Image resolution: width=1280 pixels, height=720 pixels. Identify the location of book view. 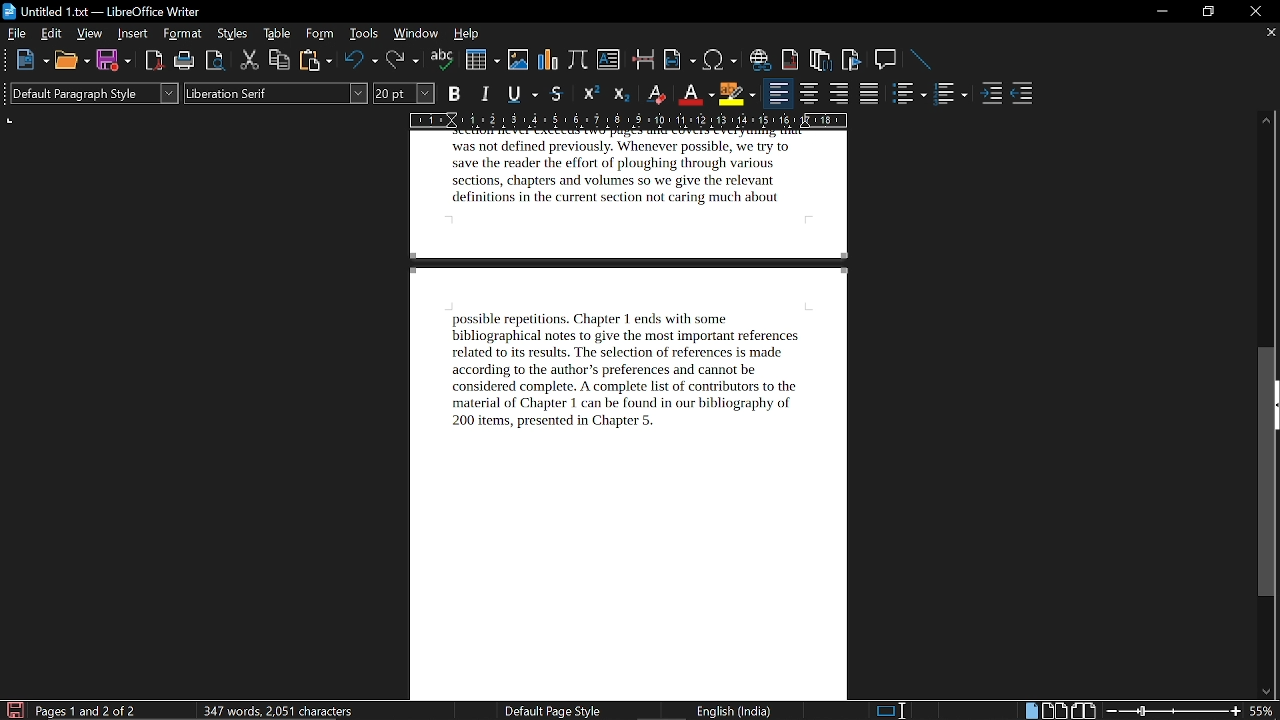
(1083, 709).